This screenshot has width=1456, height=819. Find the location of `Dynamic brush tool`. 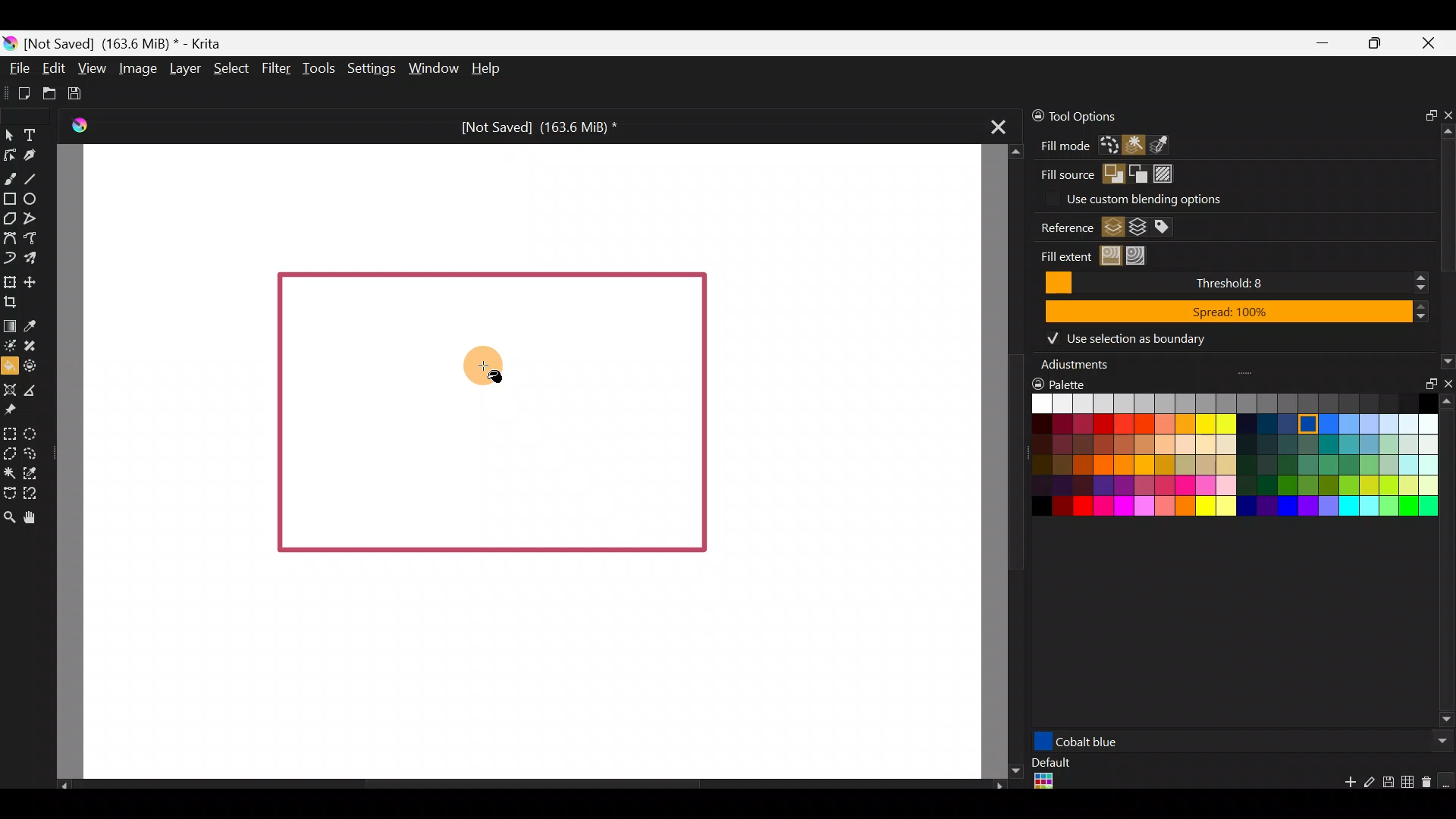

Dynamic brush tool is located at coordinates (9, 257).